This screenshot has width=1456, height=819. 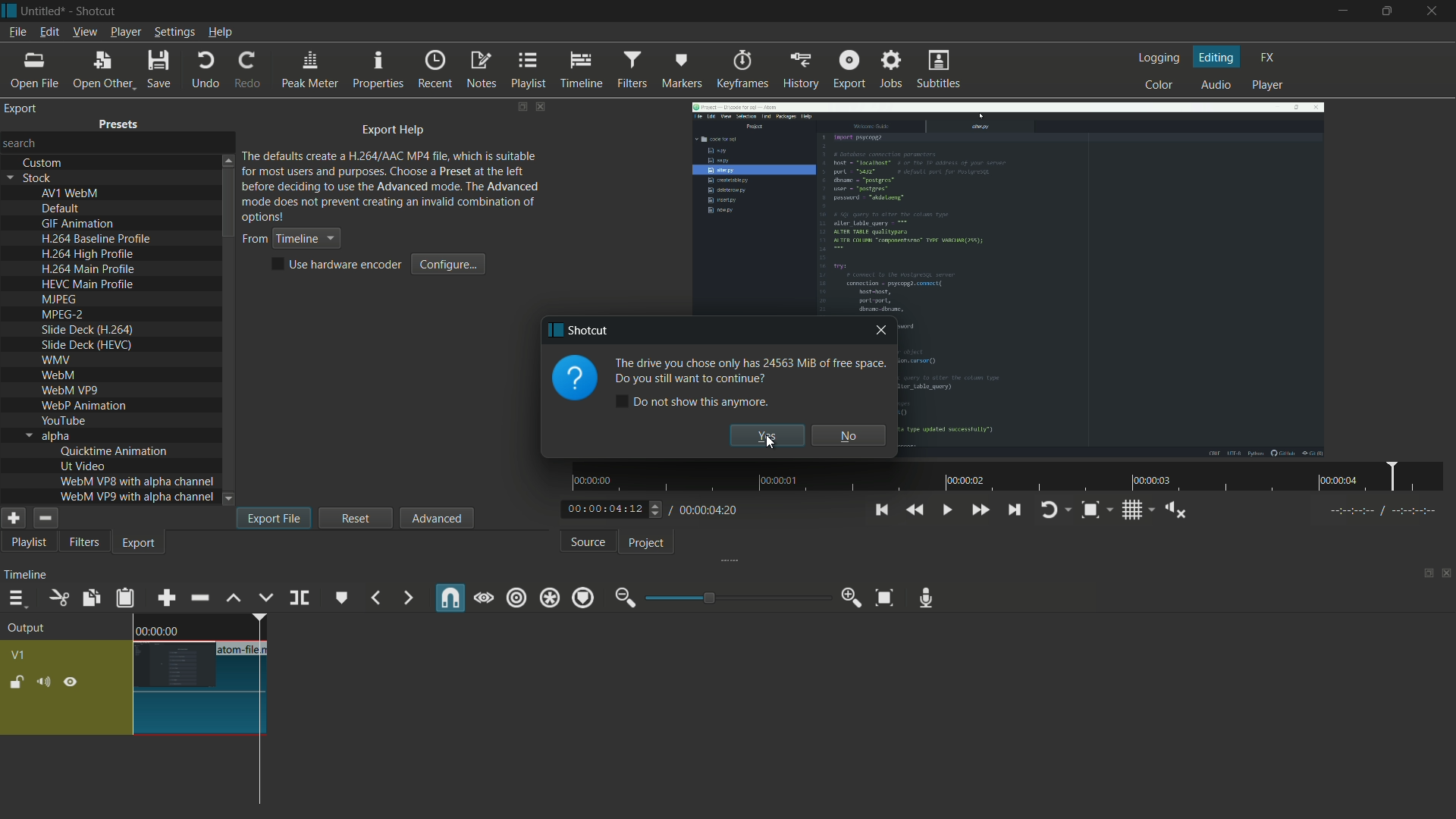 What do you see at coordinates (736, 598) in the screenshot?
I see `adjustment bar` at bounding box center [736, 598].